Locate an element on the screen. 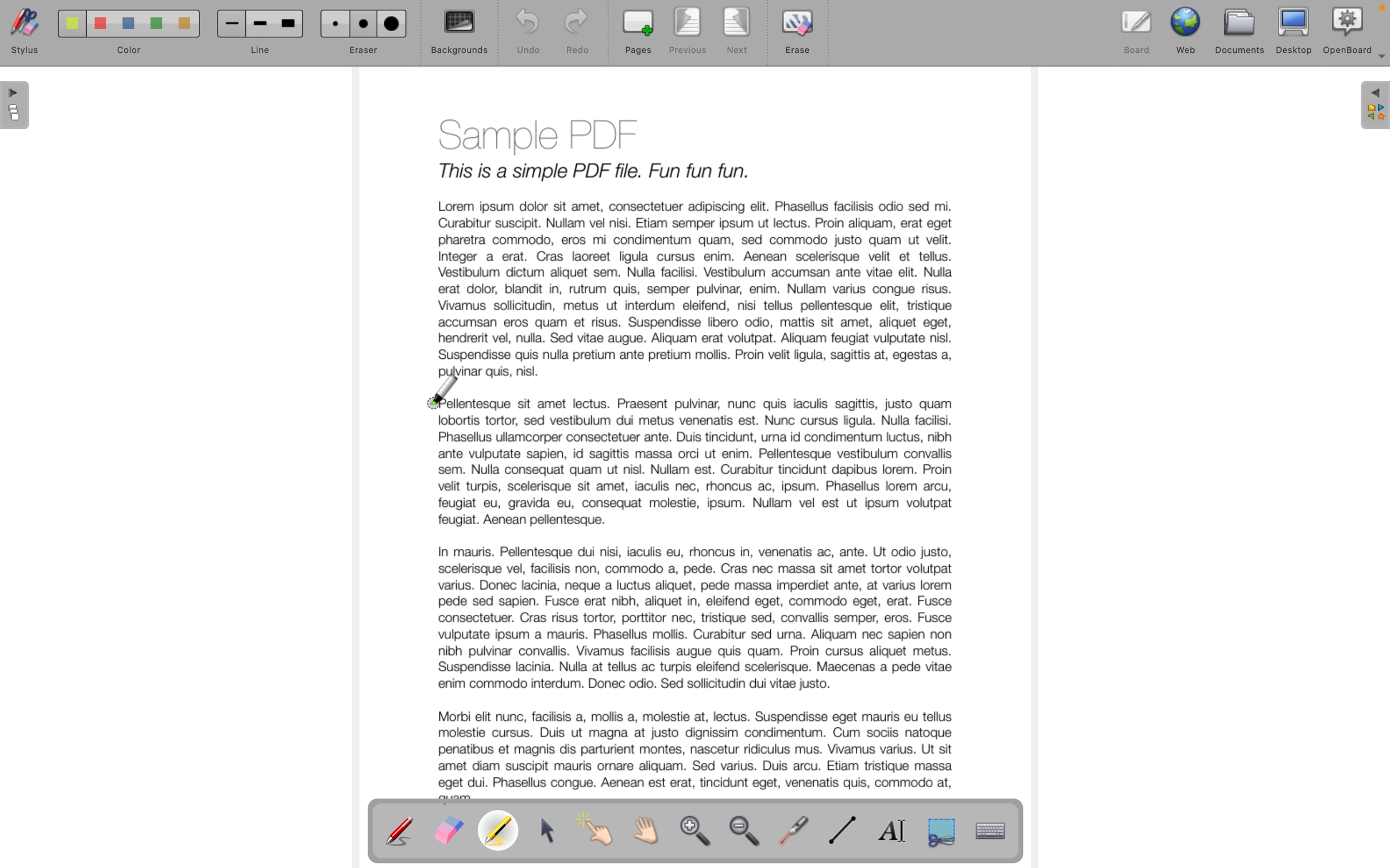 This screenshot has width=1390, height=868. next is located at coordinates (738, 33).